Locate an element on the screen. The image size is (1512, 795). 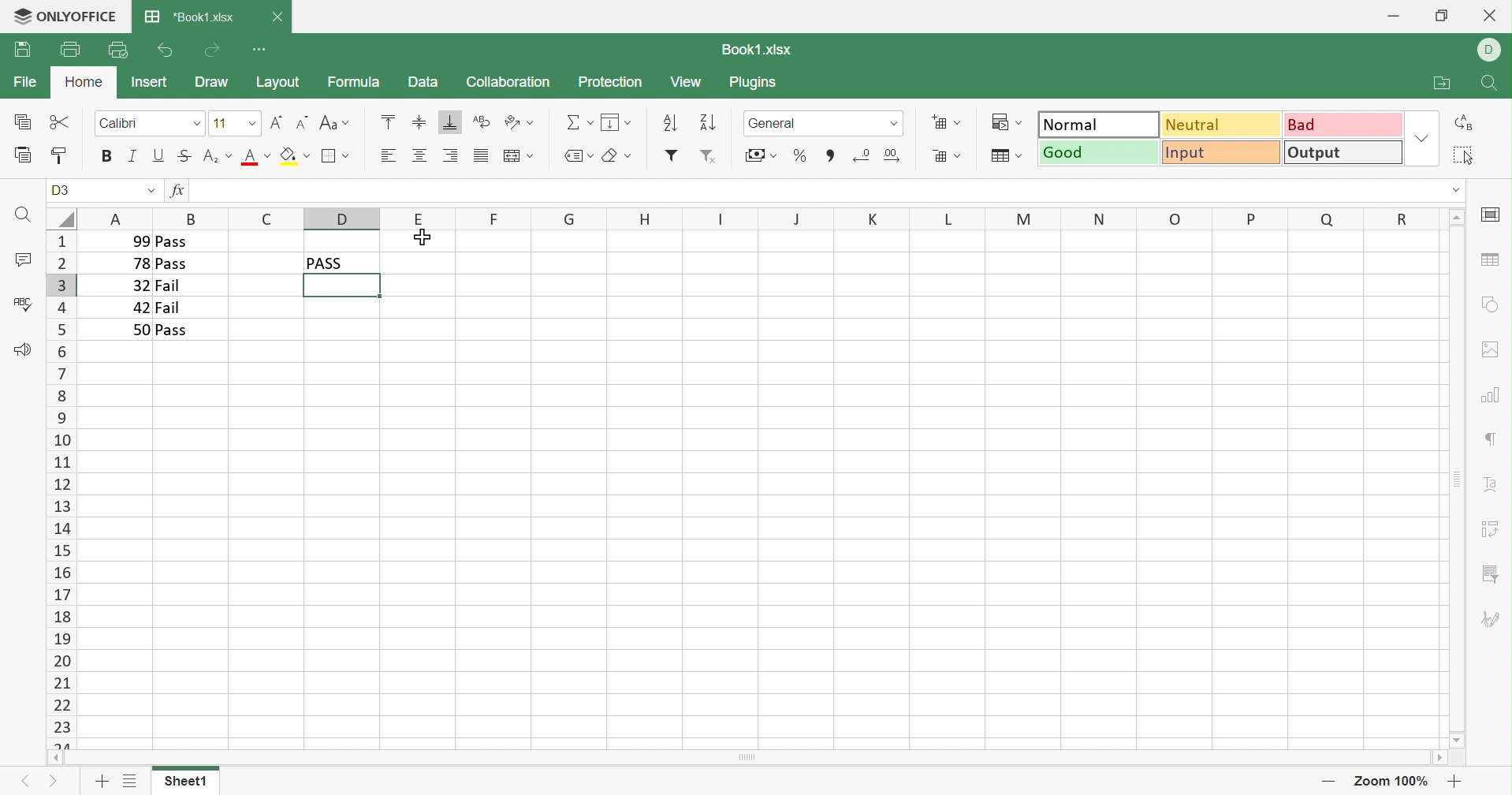
42 is located at coordinates (141, 308).